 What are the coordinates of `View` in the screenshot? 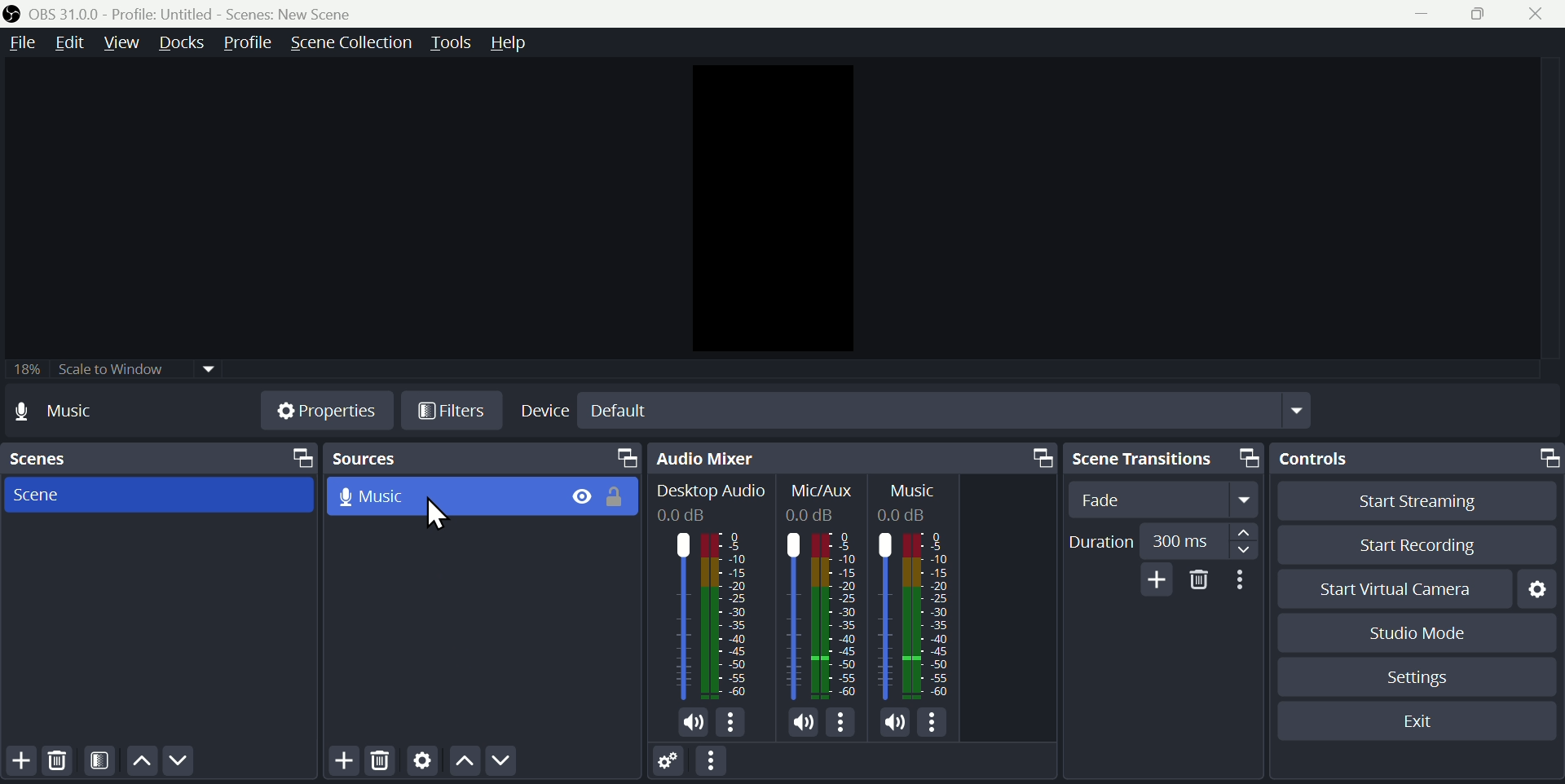 It's located at (123, 40).